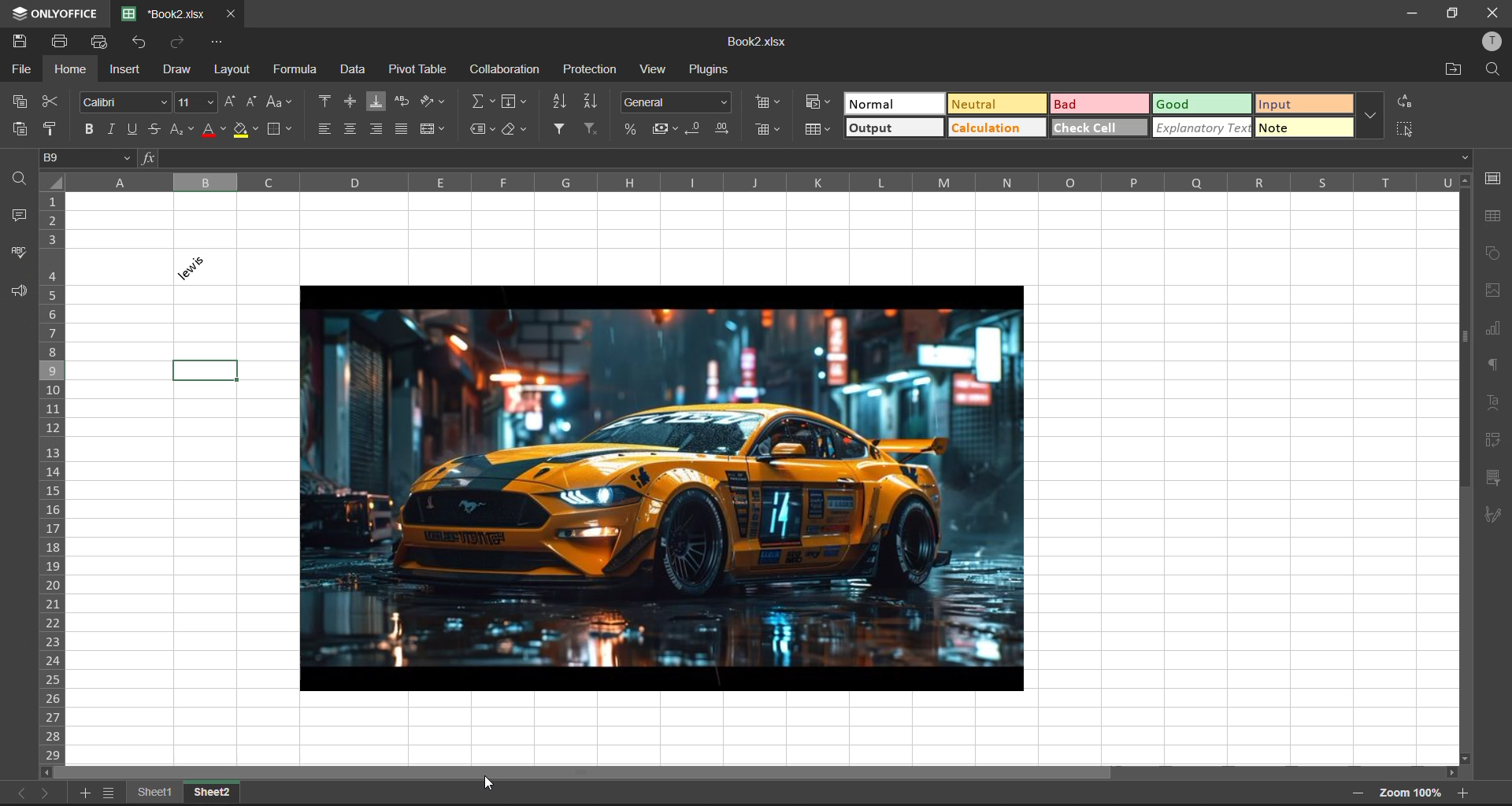 The width and height of the screenshot is (1512, 806). I want to click on file name, so click(164, 14).